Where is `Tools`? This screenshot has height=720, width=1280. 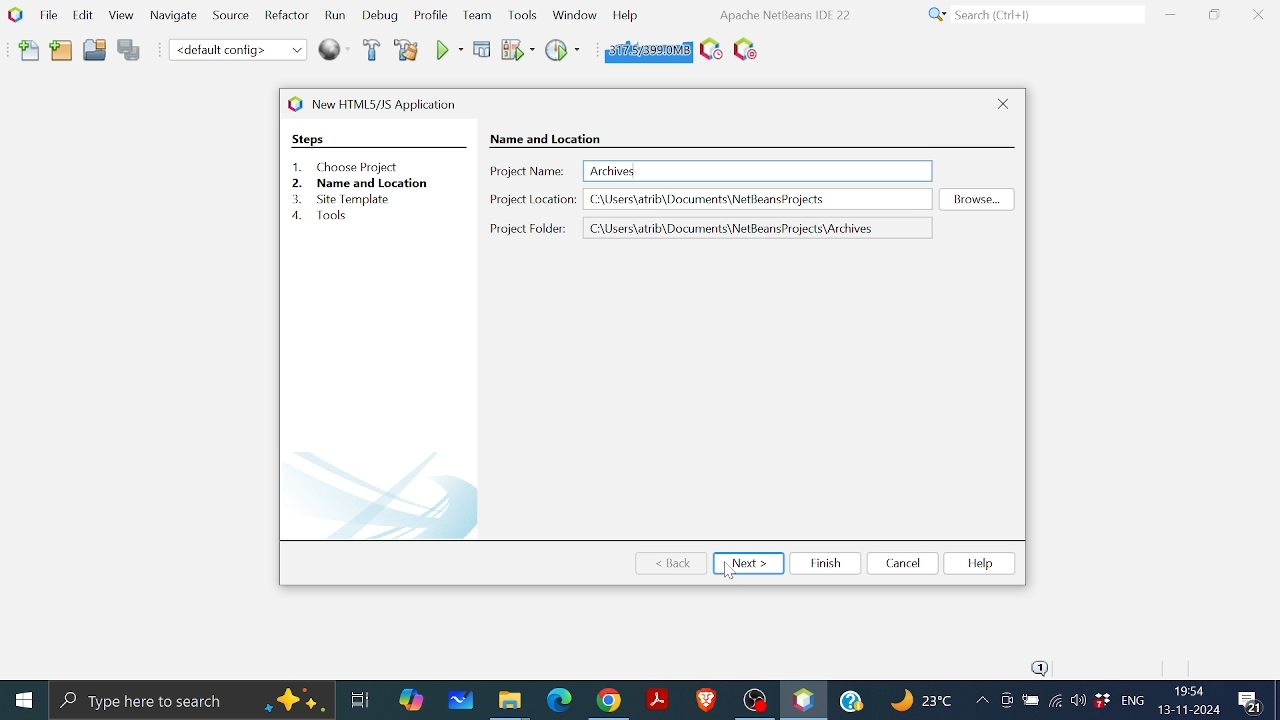 Tools is located at coordinates (524, 14).